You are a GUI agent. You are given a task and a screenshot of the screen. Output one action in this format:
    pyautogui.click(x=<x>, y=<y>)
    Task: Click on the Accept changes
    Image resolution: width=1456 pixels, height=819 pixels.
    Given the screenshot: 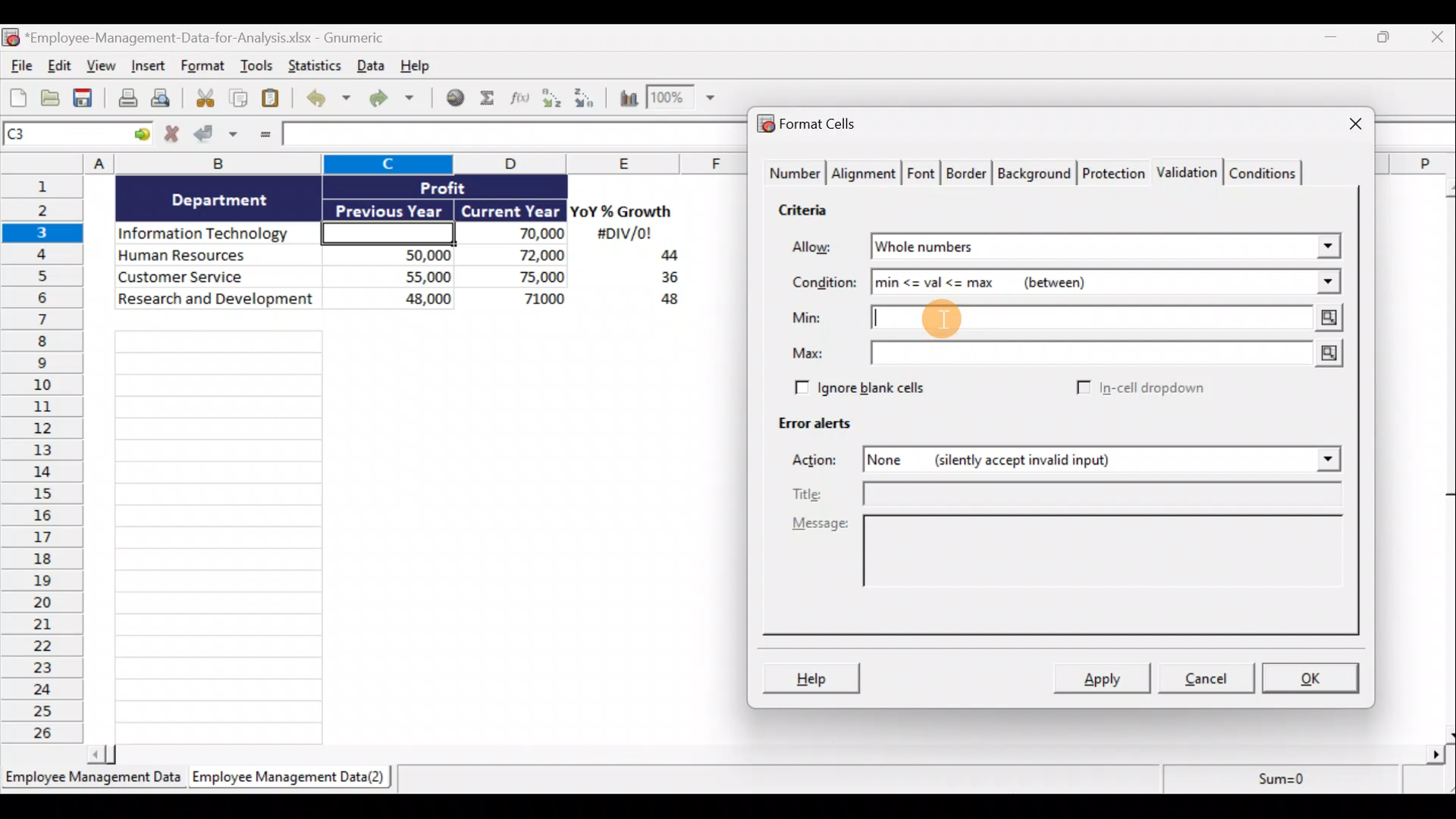 What is the action you would take?
    pyautogui.click(x=218, y=136)
    